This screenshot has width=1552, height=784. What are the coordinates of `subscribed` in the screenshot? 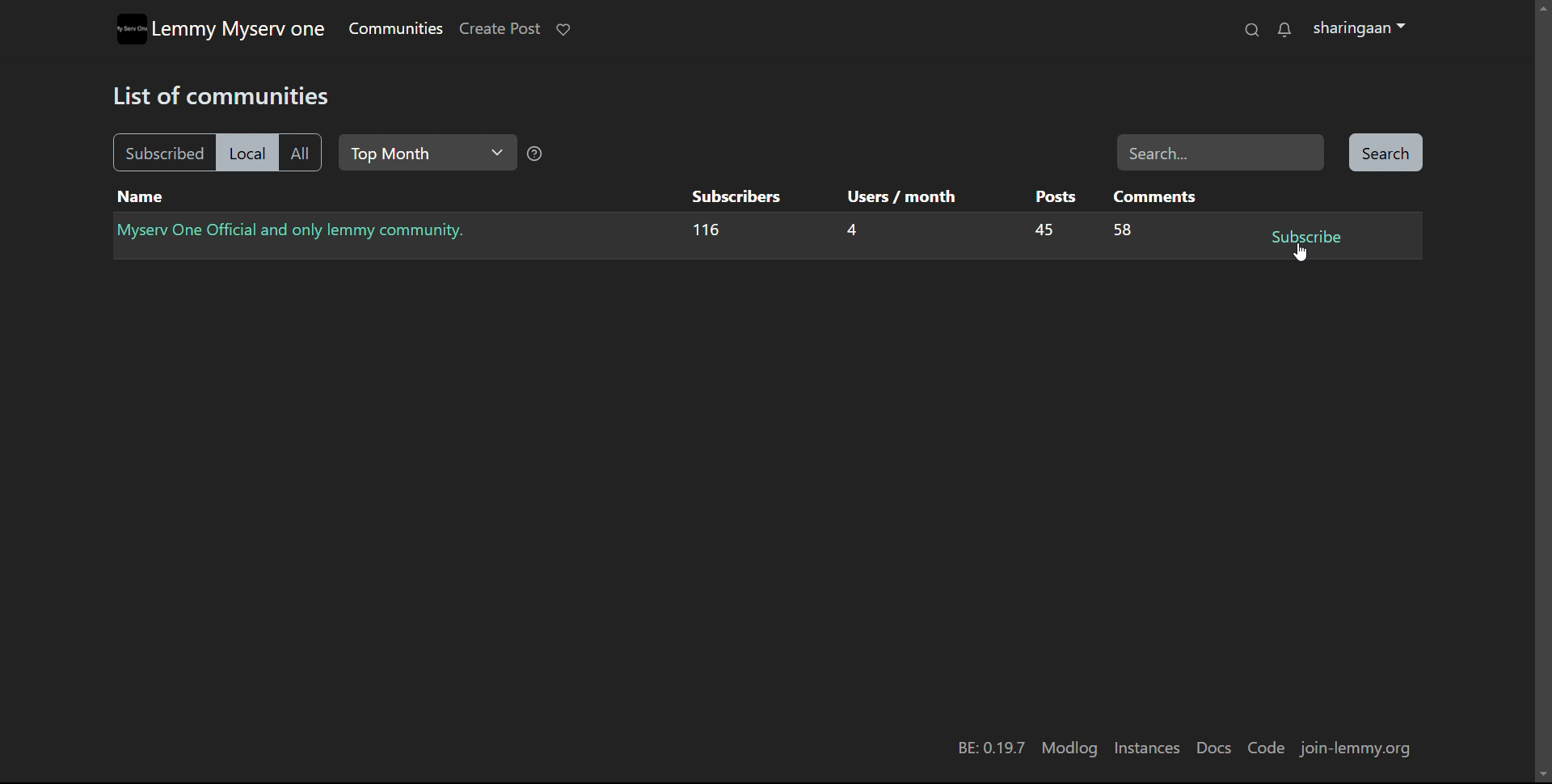 It's located at (162, 152).